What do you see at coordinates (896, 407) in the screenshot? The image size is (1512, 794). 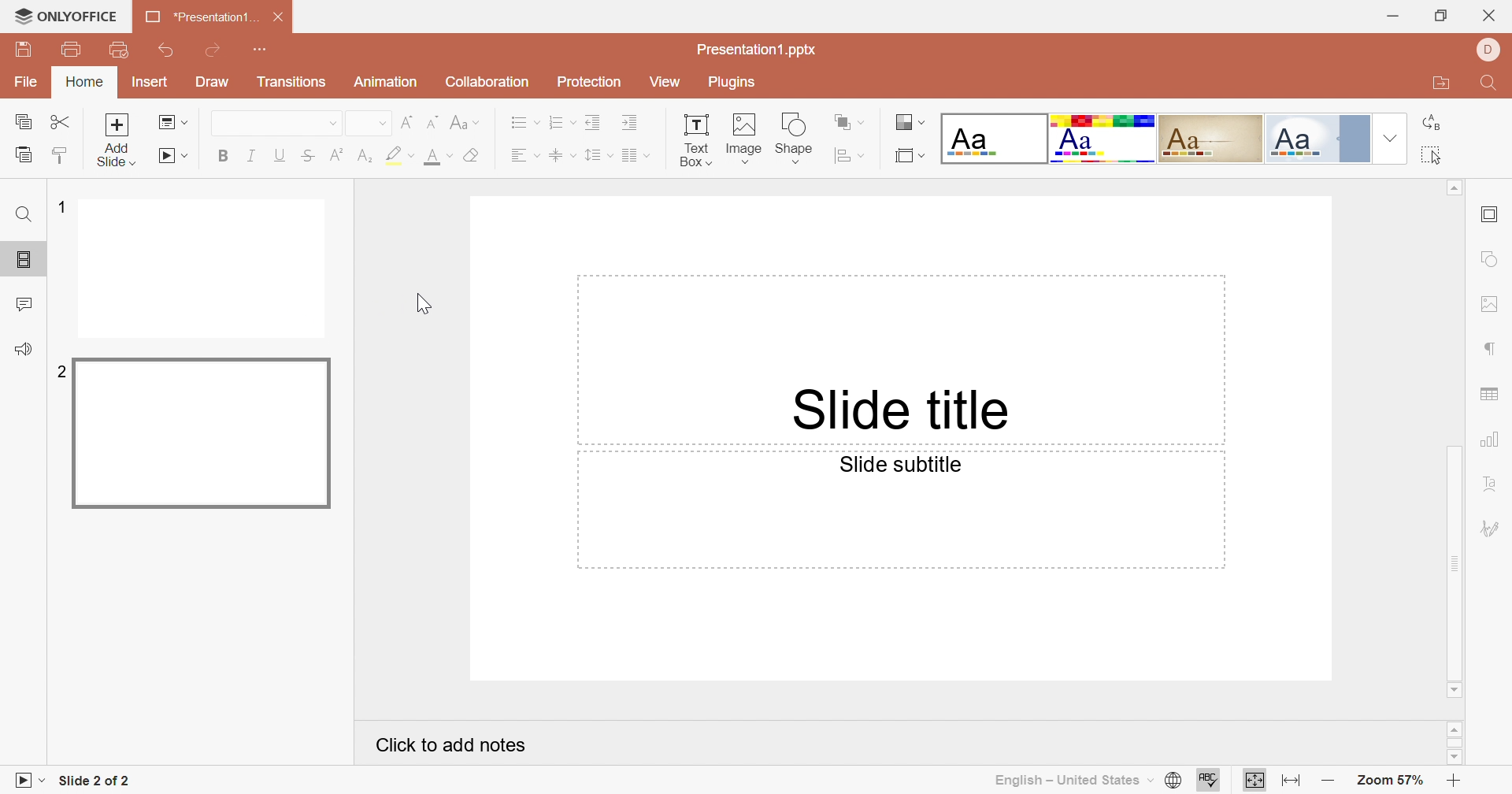 I see `Slide title` at bounding box center [896, 407].